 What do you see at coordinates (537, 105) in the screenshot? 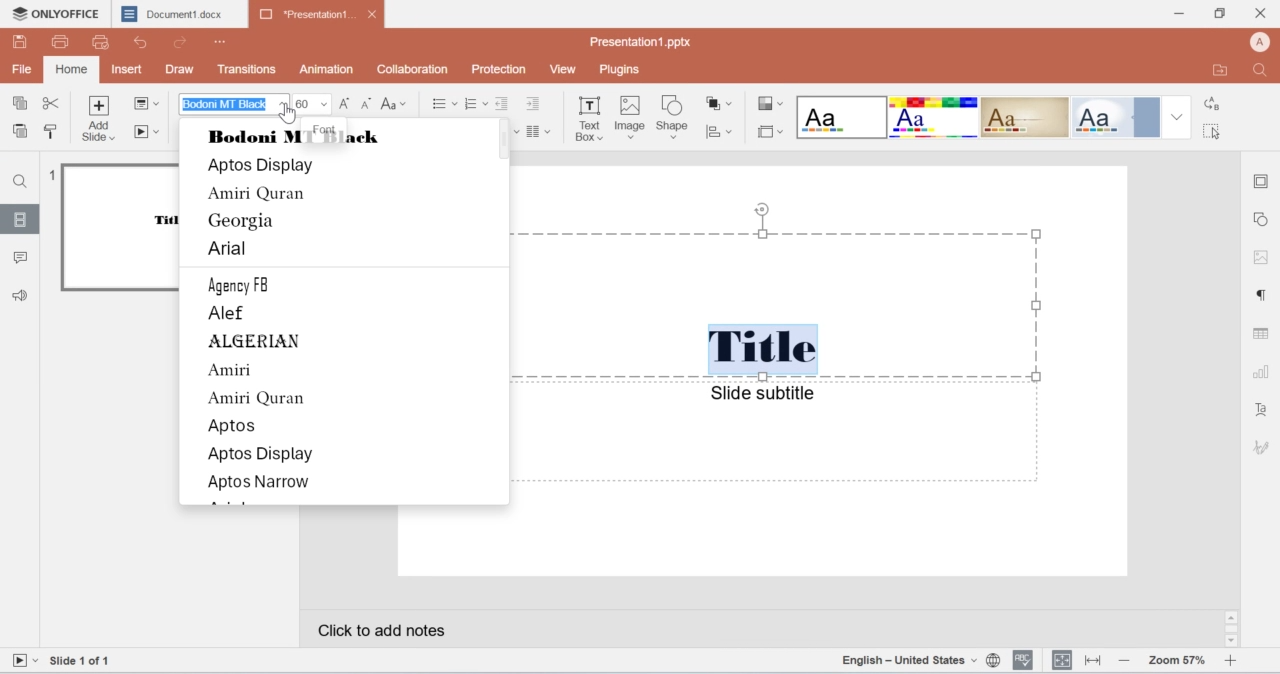
I see `indent` at bounding box center [537, 105].